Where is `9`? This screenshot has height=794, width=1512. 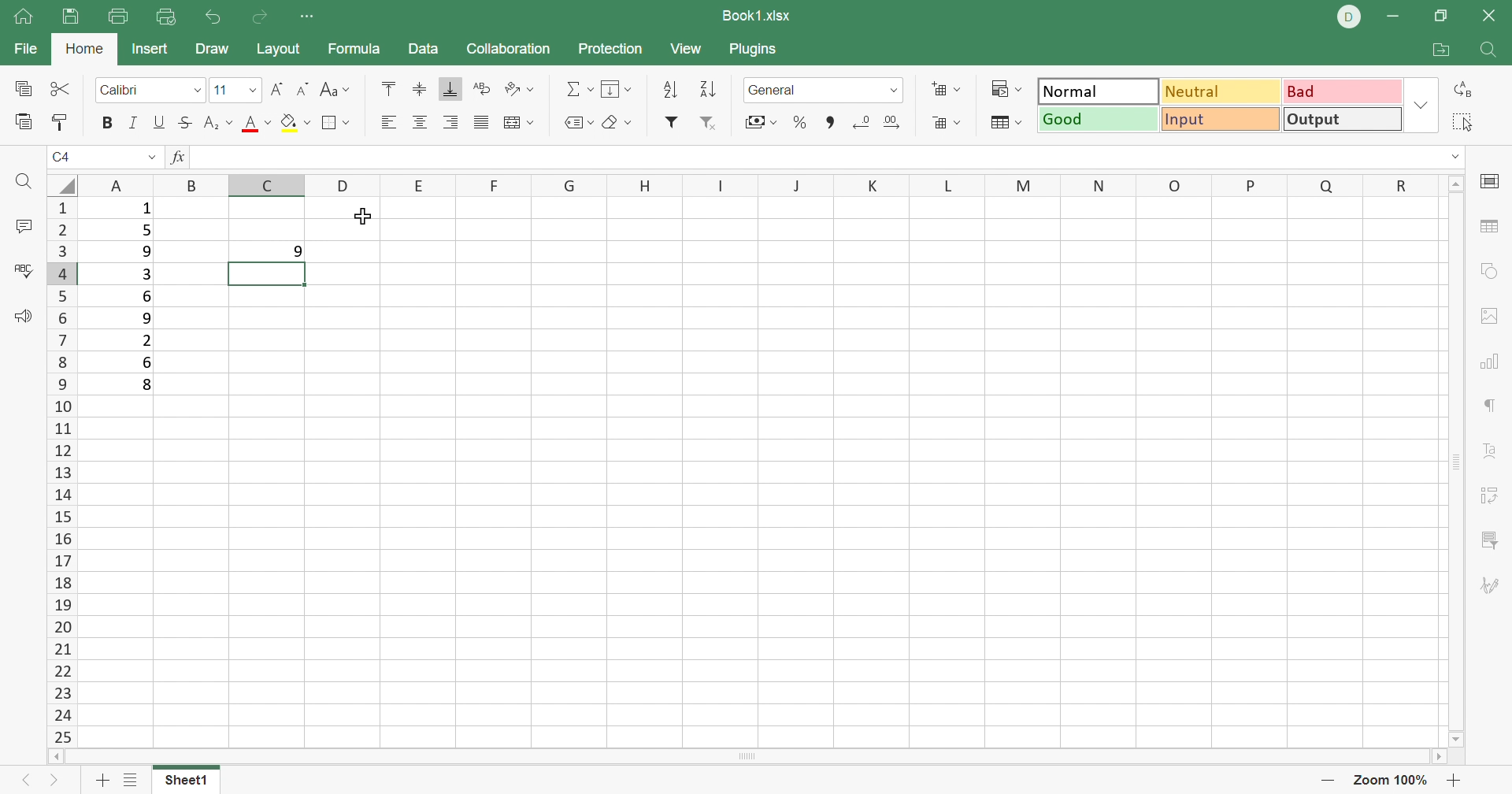
9 is located at coordinates (150, 251).